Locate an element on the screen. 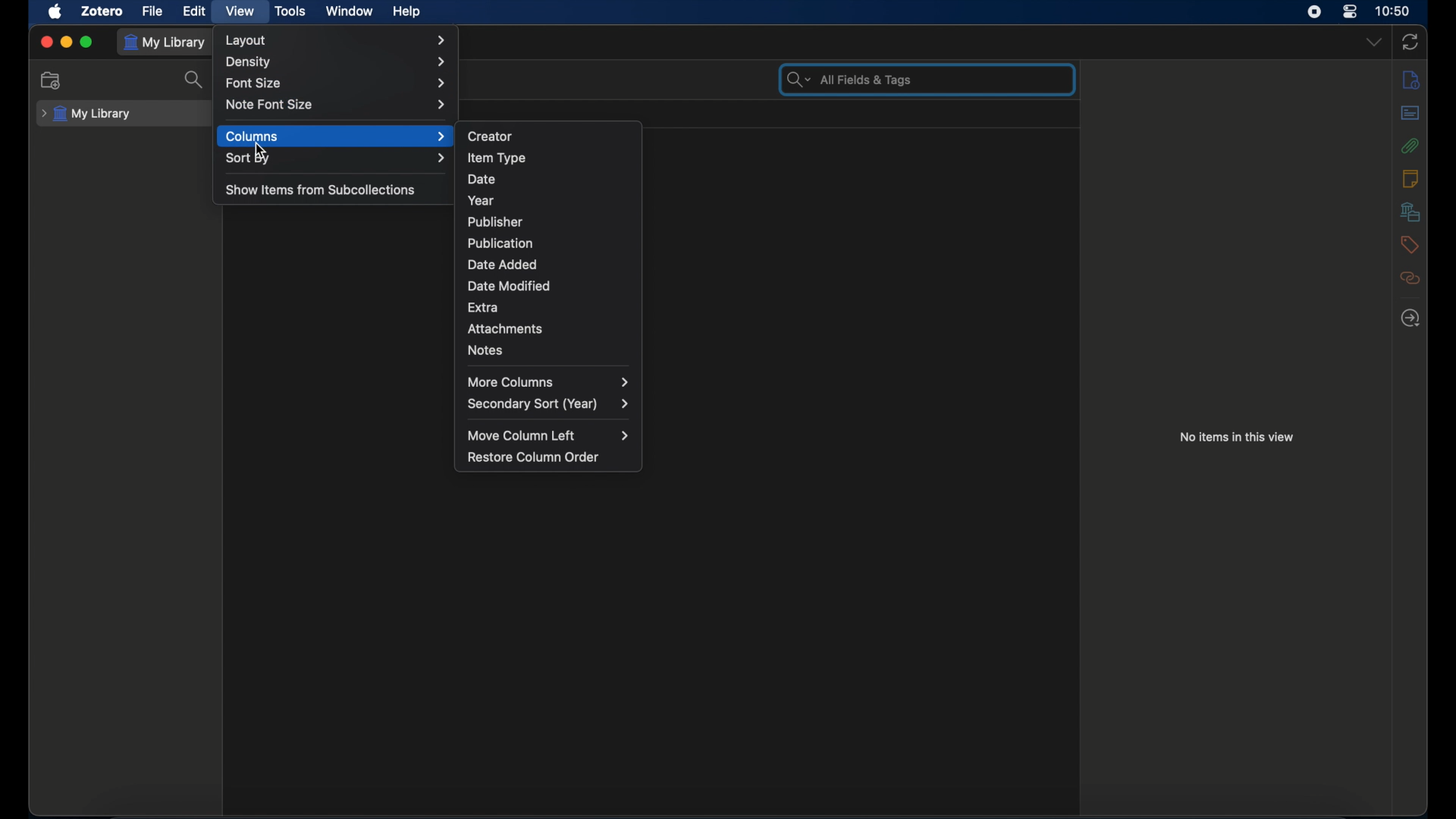  attachments is located at coordinates (506, 329).